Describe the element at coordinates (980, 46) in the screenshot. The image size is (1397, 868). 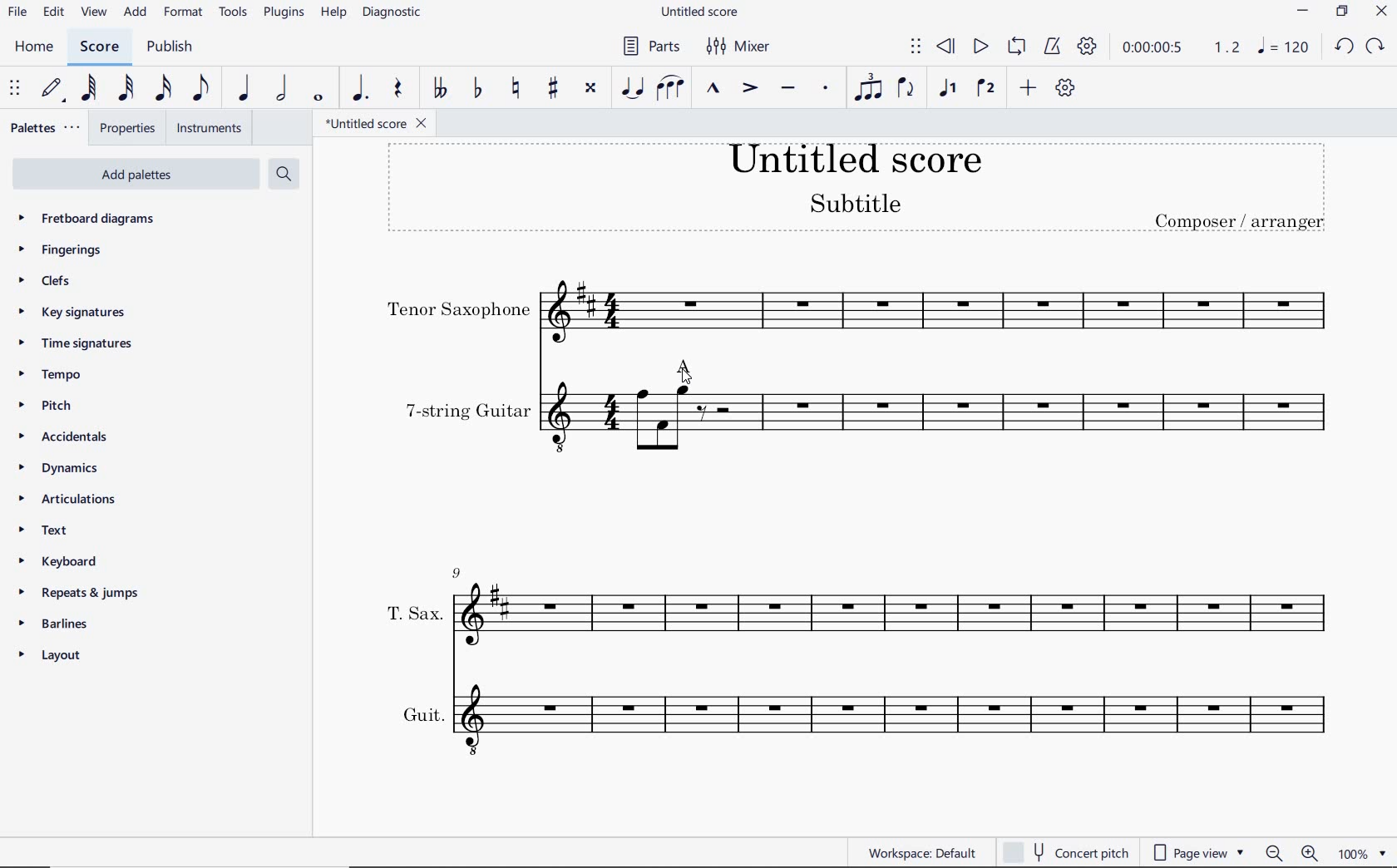
I see `PLAY` at that location.